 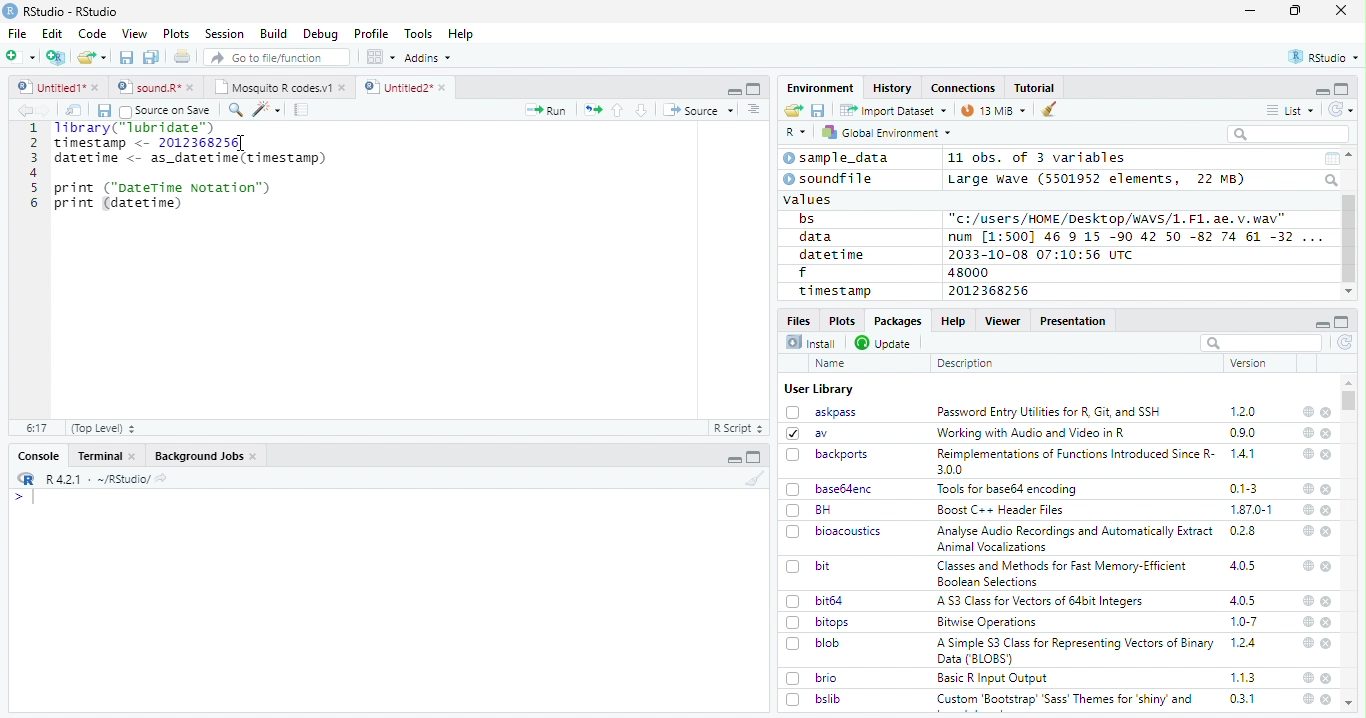 I want to click on 11 obs. of 3 variables, so click(x=1038, y=159).